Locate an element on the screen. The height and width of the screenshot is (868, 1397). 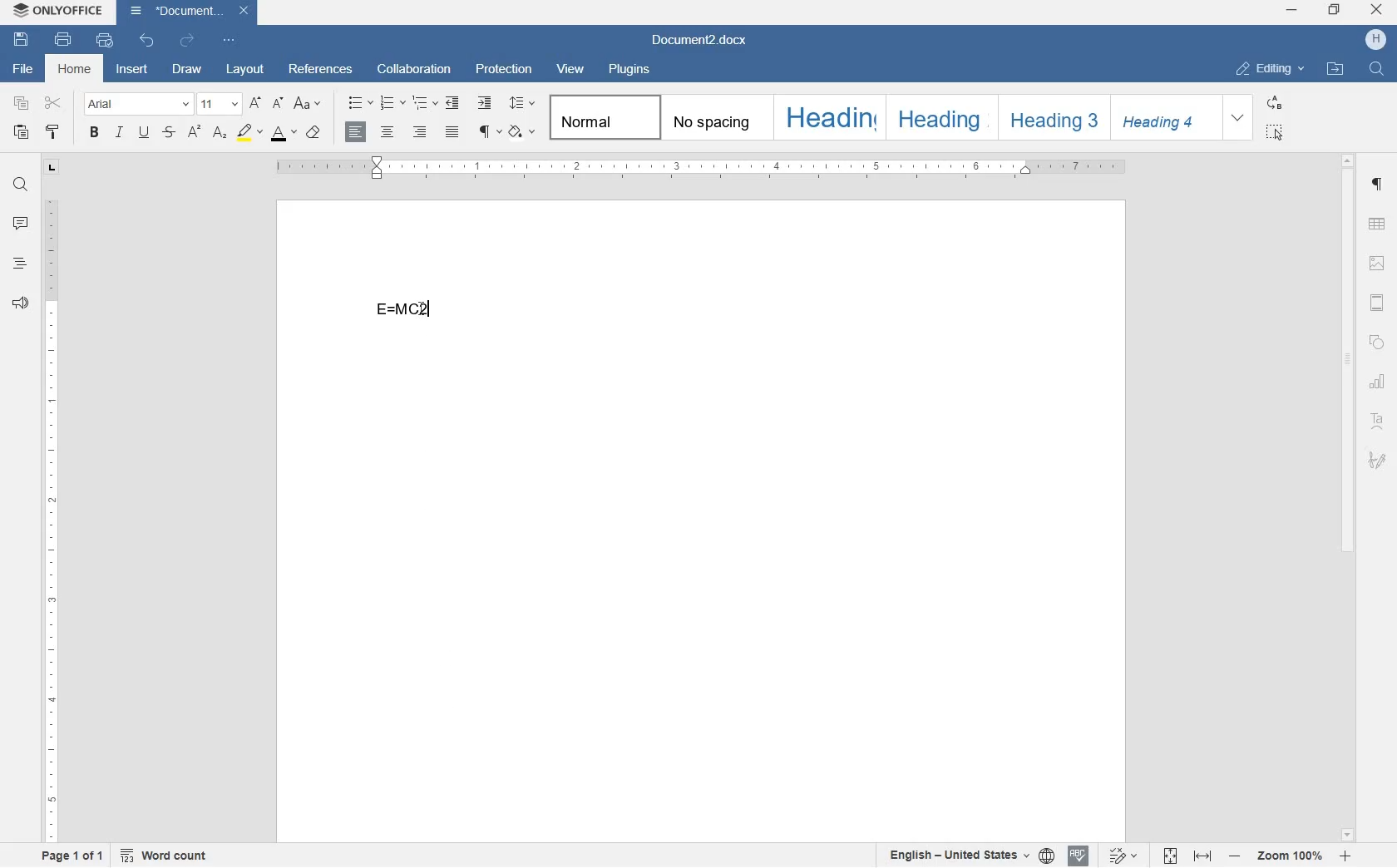
file name is located at coordinates (190, 14).